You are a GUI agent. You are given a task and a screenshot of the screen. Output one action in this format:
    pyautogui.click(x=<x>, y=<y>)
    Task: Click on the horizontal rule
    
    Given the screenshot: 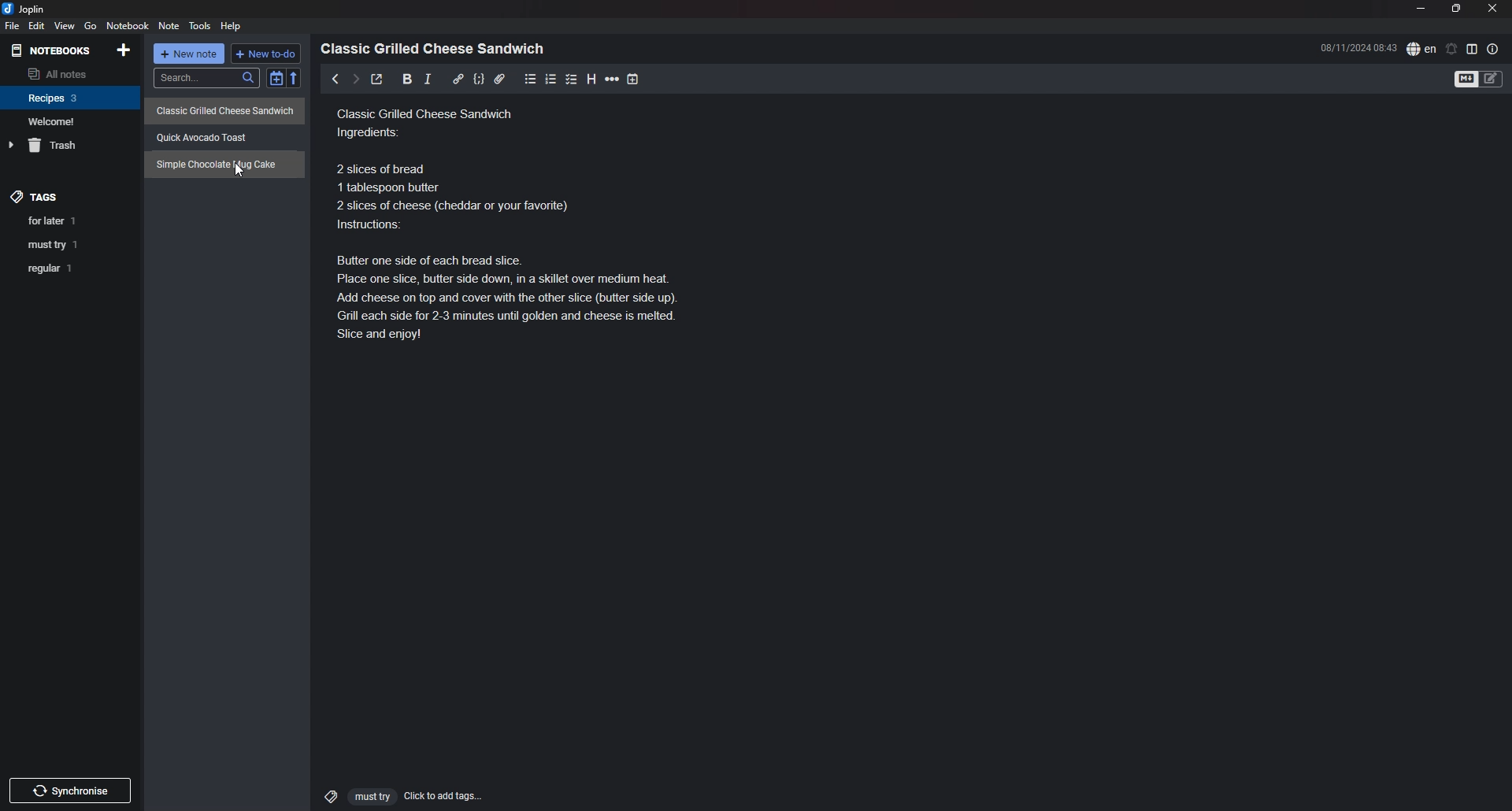 What is the action you would take?
    pyautogui.click(x=613, y=79)
    